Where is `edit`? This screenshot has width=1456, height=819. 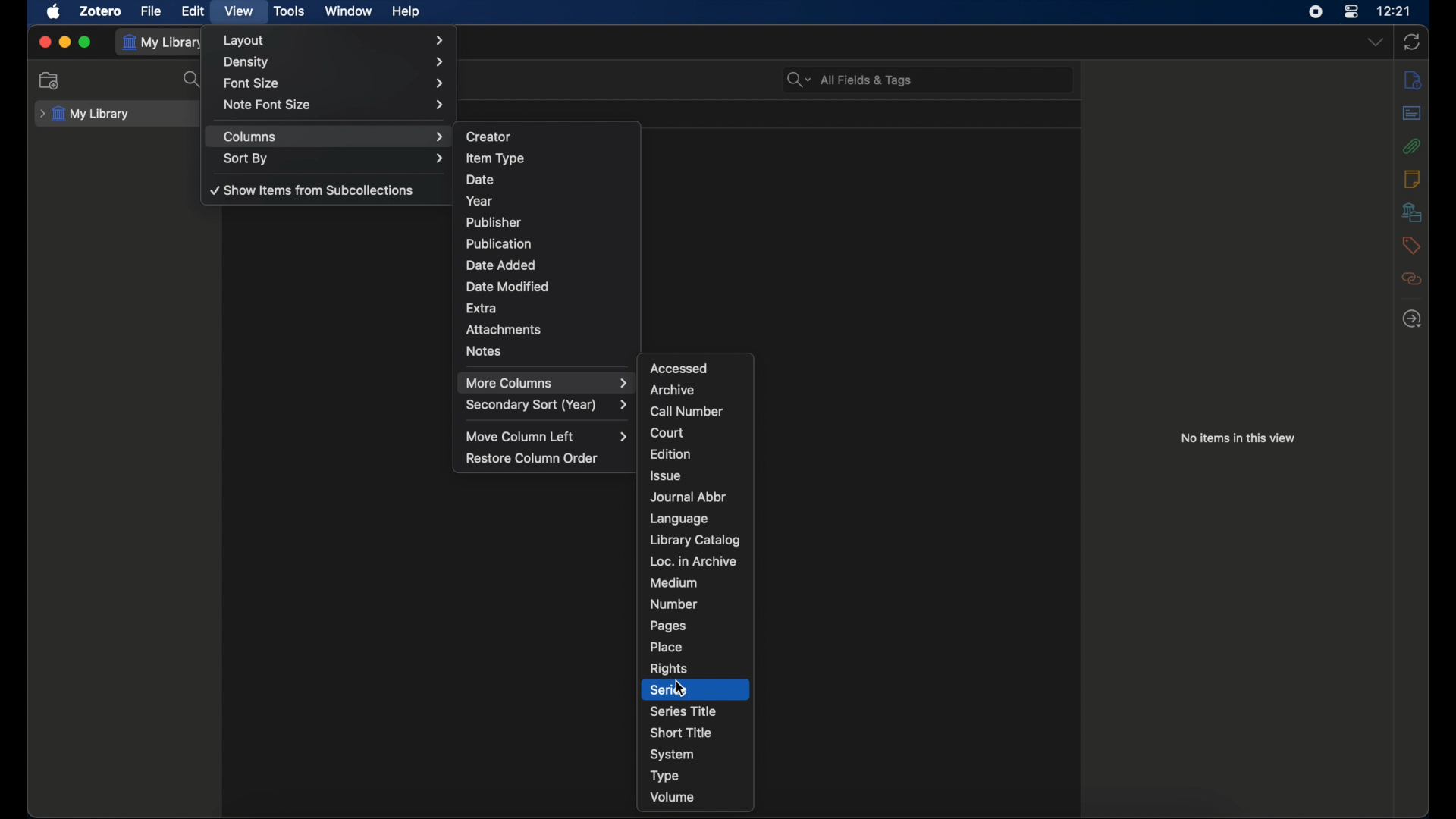
edit is located at coordinates (193, 11).